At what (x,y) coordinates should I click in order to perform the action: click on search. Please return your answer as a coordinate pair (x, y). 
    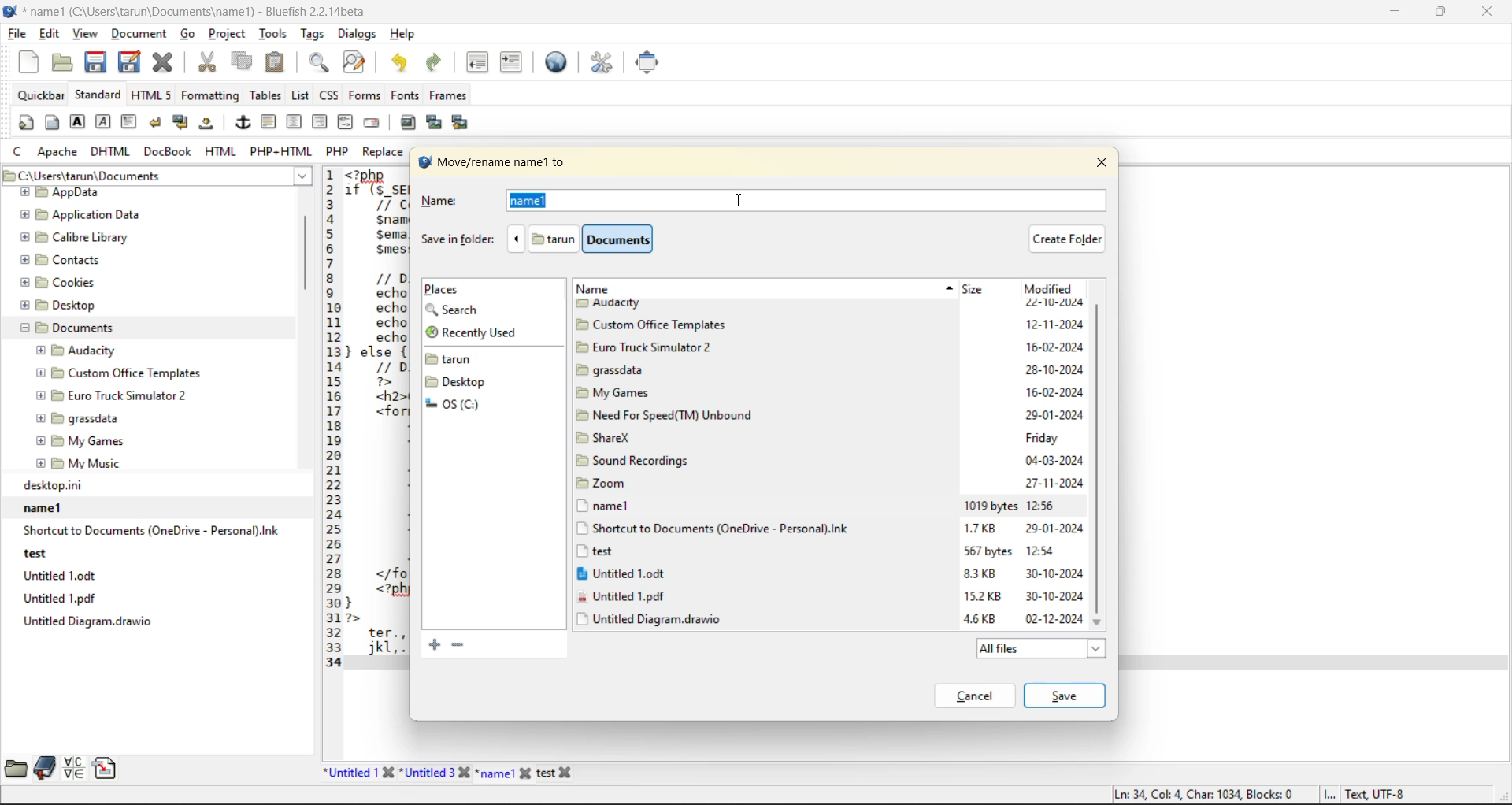
    Looking at the image, I should click on (454, 310).